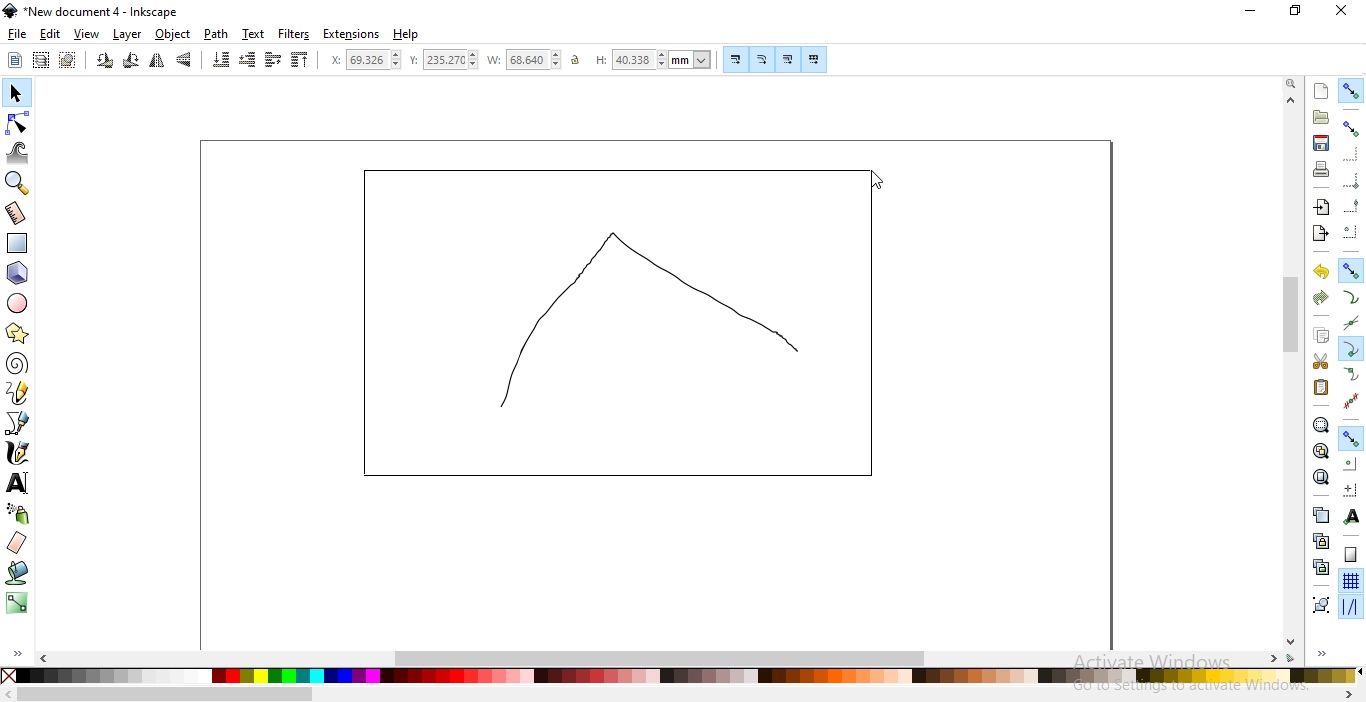  What do you see at coordinates (67, 61) in the screenshot?
I see `deselect any selected paths` at bounding box center [67, 61].